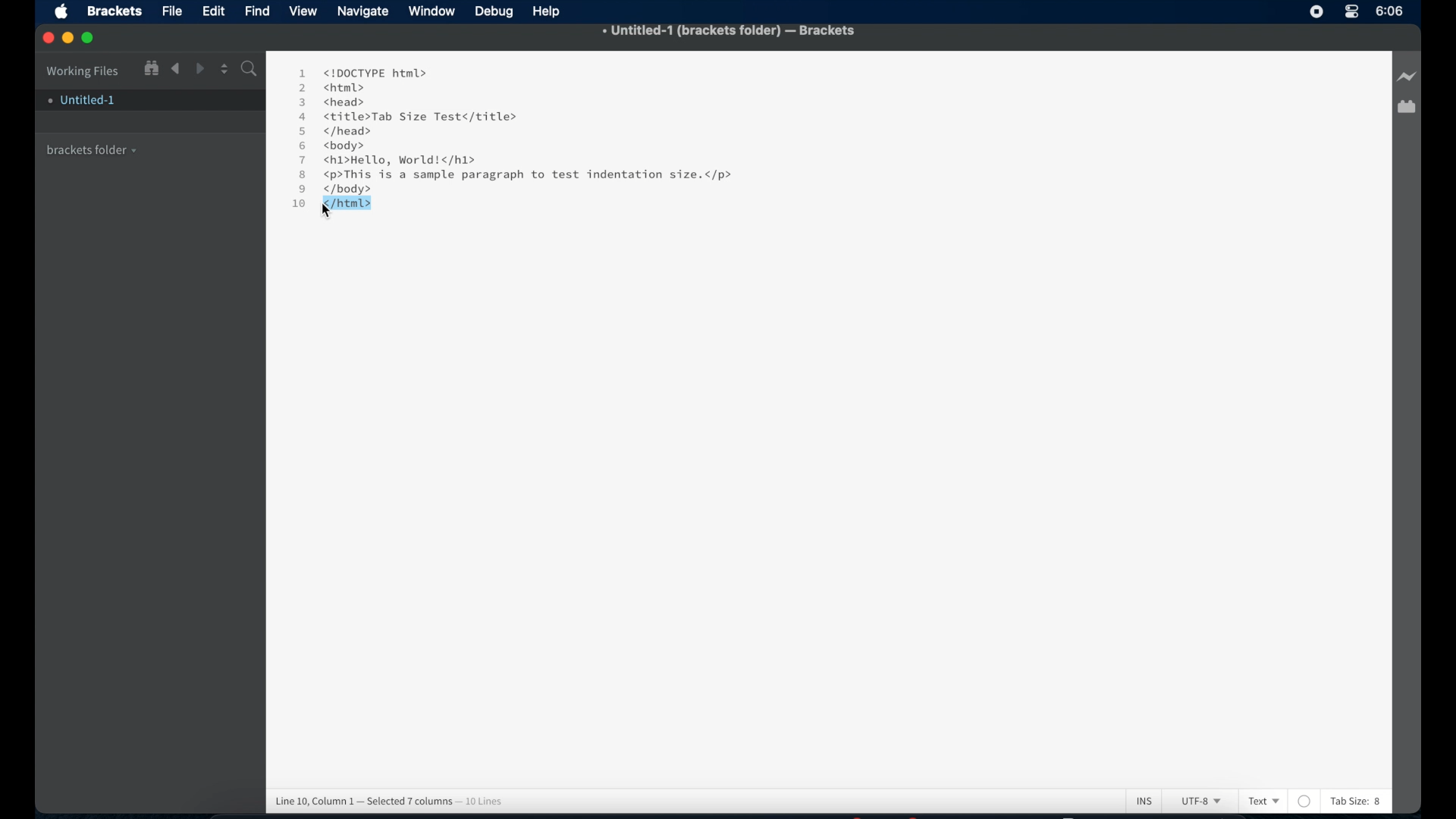  What do you see at coordinates (248, 71) in the screenshot?
I see `Find` at bounding box center [248, 71].